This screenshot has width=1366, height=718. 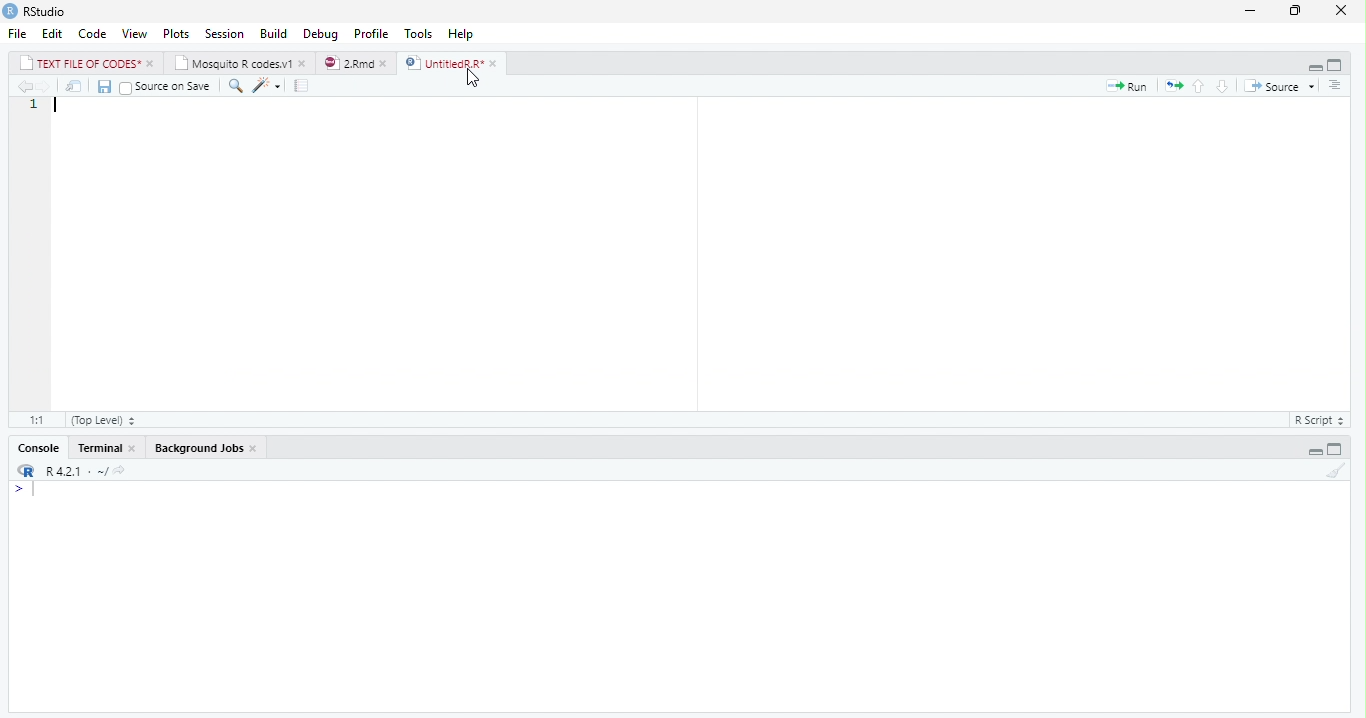 What do you see at coordinates (33, 239) in the screenshot?
I see `line numbers` at bounding box center [33, 239].